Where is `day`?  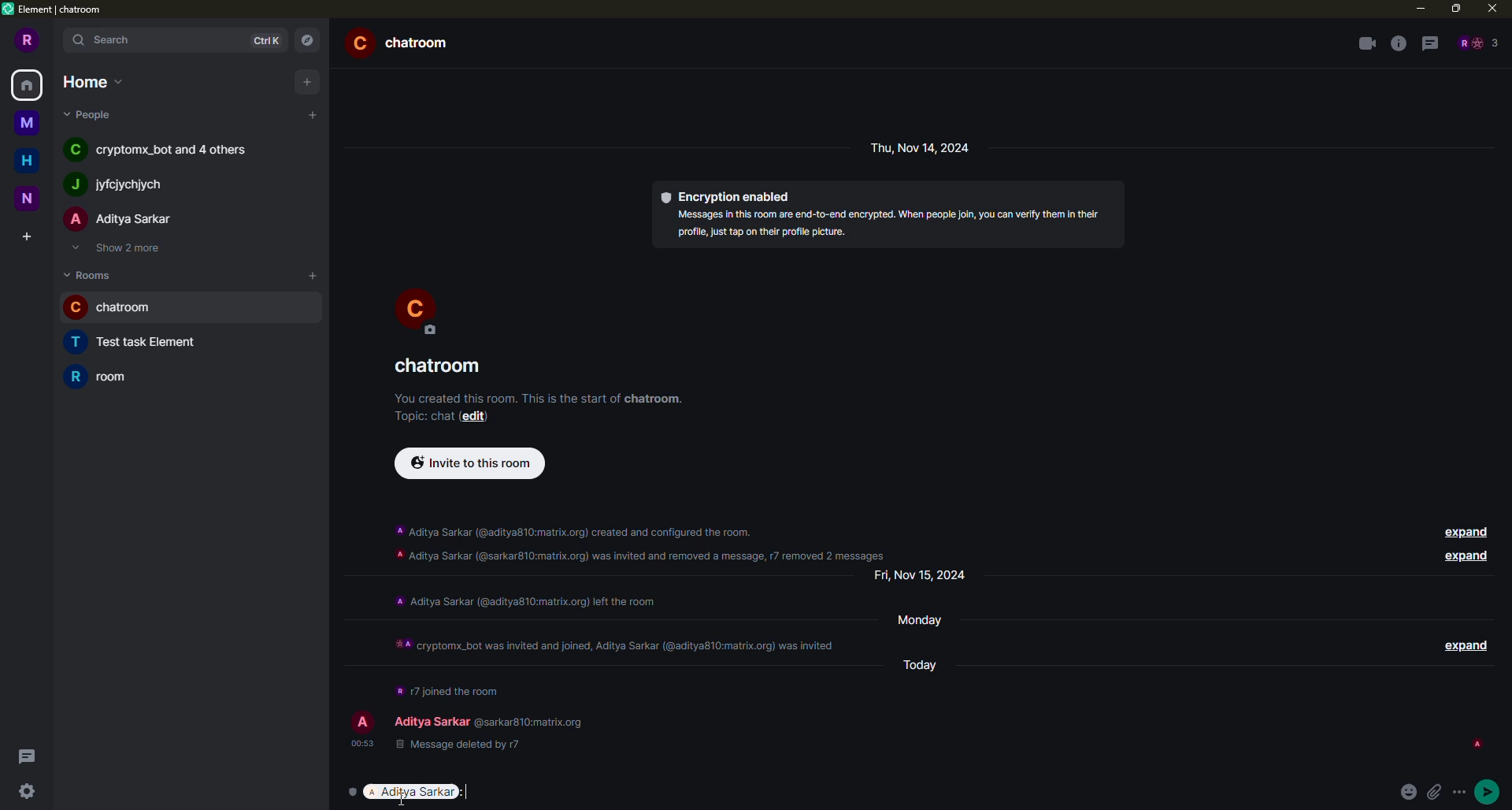
day is located at coordinates (927, 575).